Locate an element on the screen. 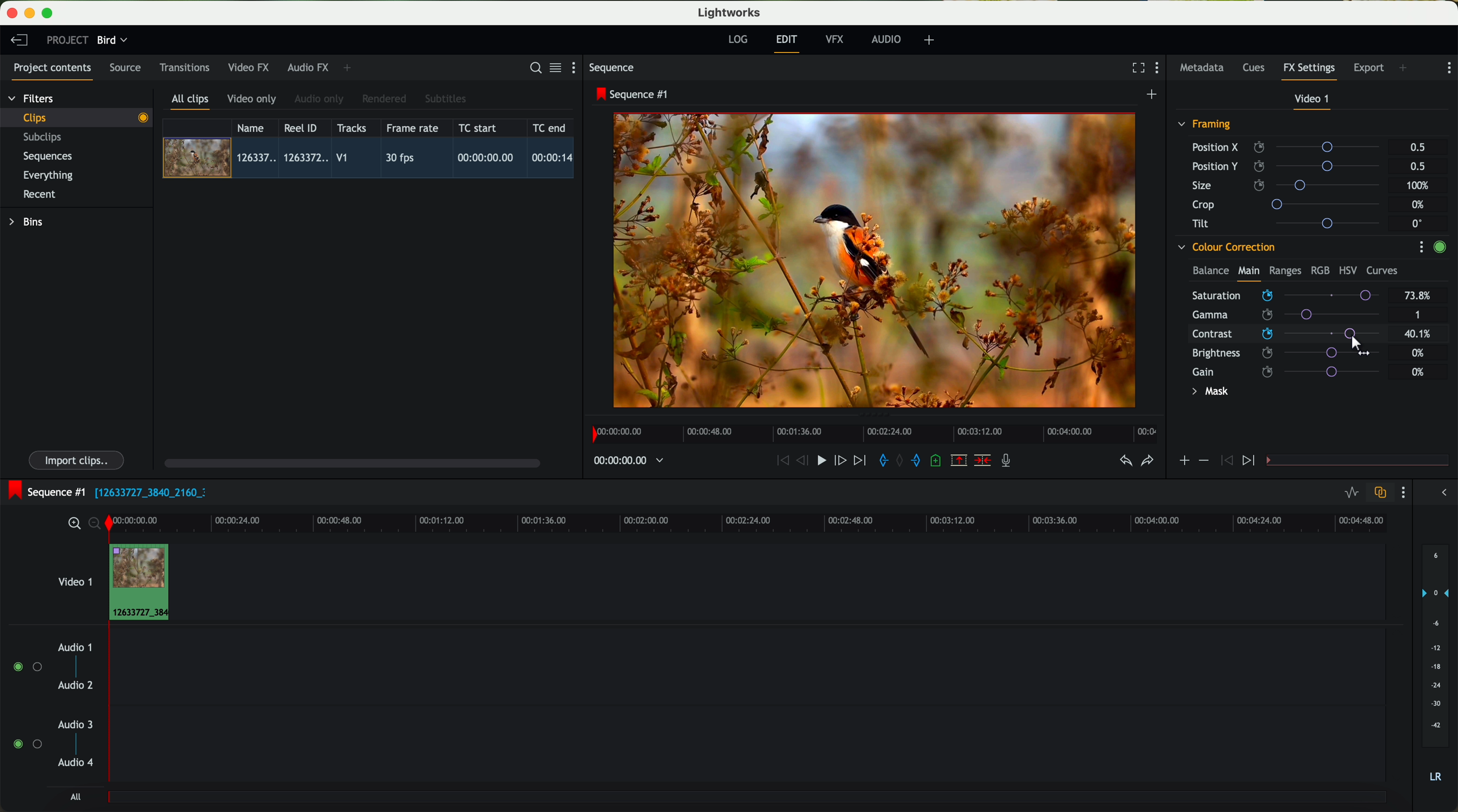 This screenshot has width=1458, height=812. add panel is located at coordinates (1406, 69).